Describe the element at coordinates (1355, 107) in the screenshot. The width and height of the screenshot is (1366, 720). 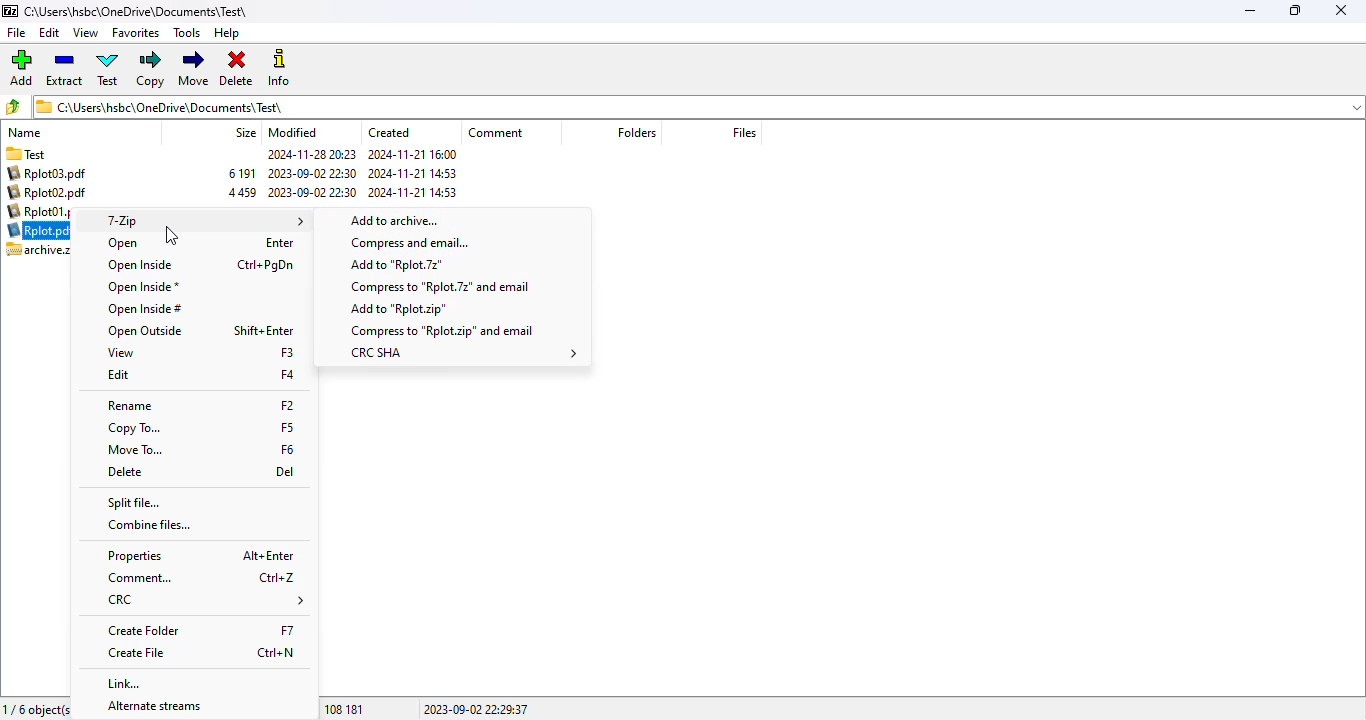
I see `dropdown` at that location.